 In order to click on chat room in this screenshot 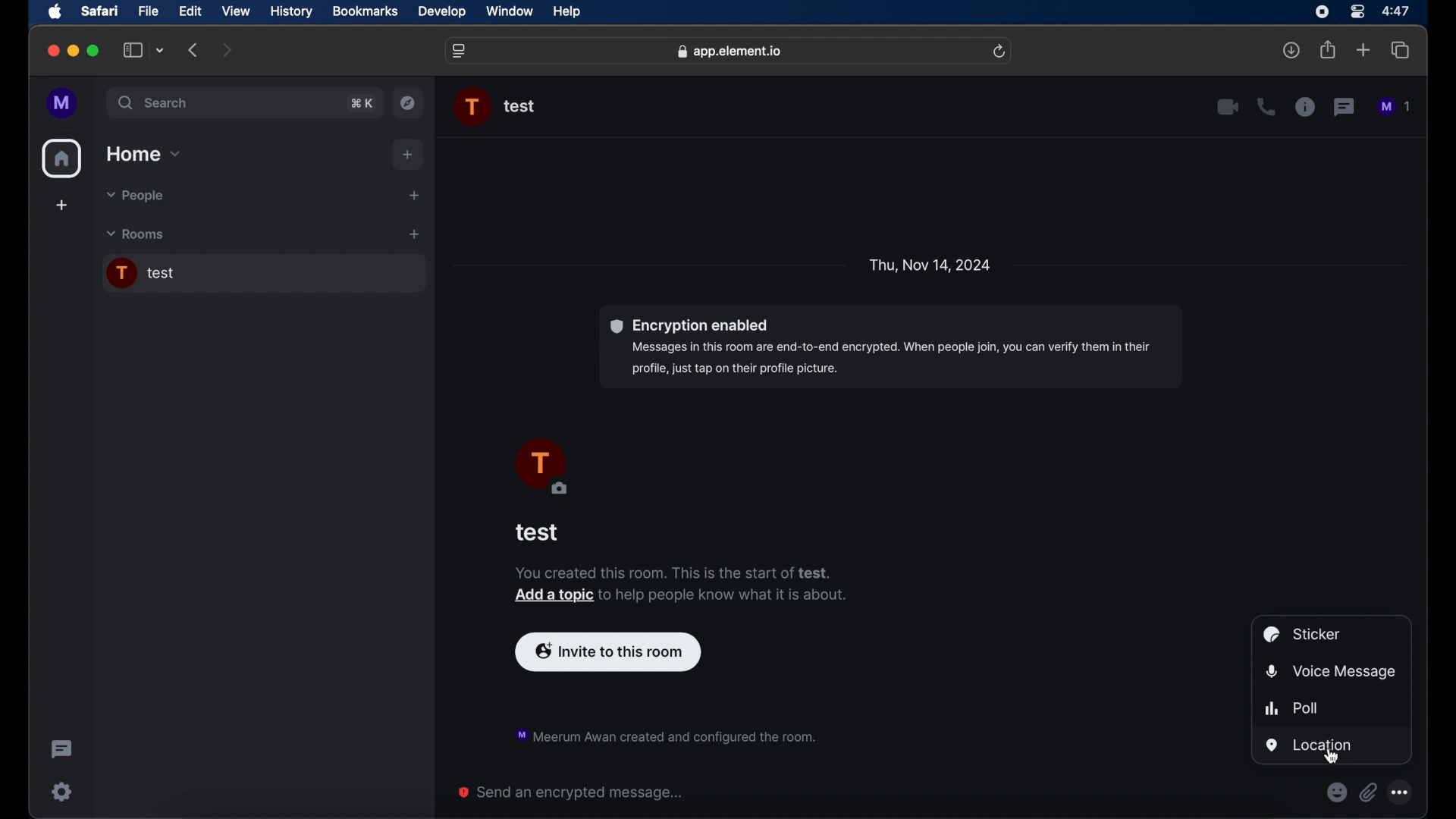, I will do `click(263, 274)`.